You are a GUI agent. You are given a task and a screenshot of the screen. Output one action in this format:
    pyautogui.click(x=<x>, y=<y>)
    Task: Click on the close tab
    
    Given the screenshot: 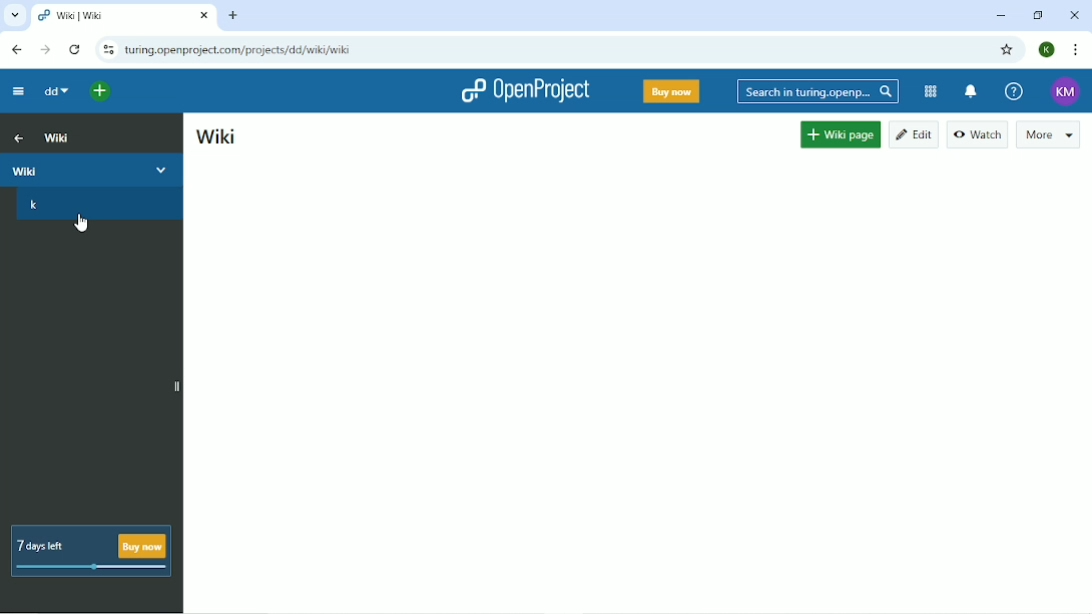 What is the action you would take?
    pyautogui.click(x=201, y=15)
    